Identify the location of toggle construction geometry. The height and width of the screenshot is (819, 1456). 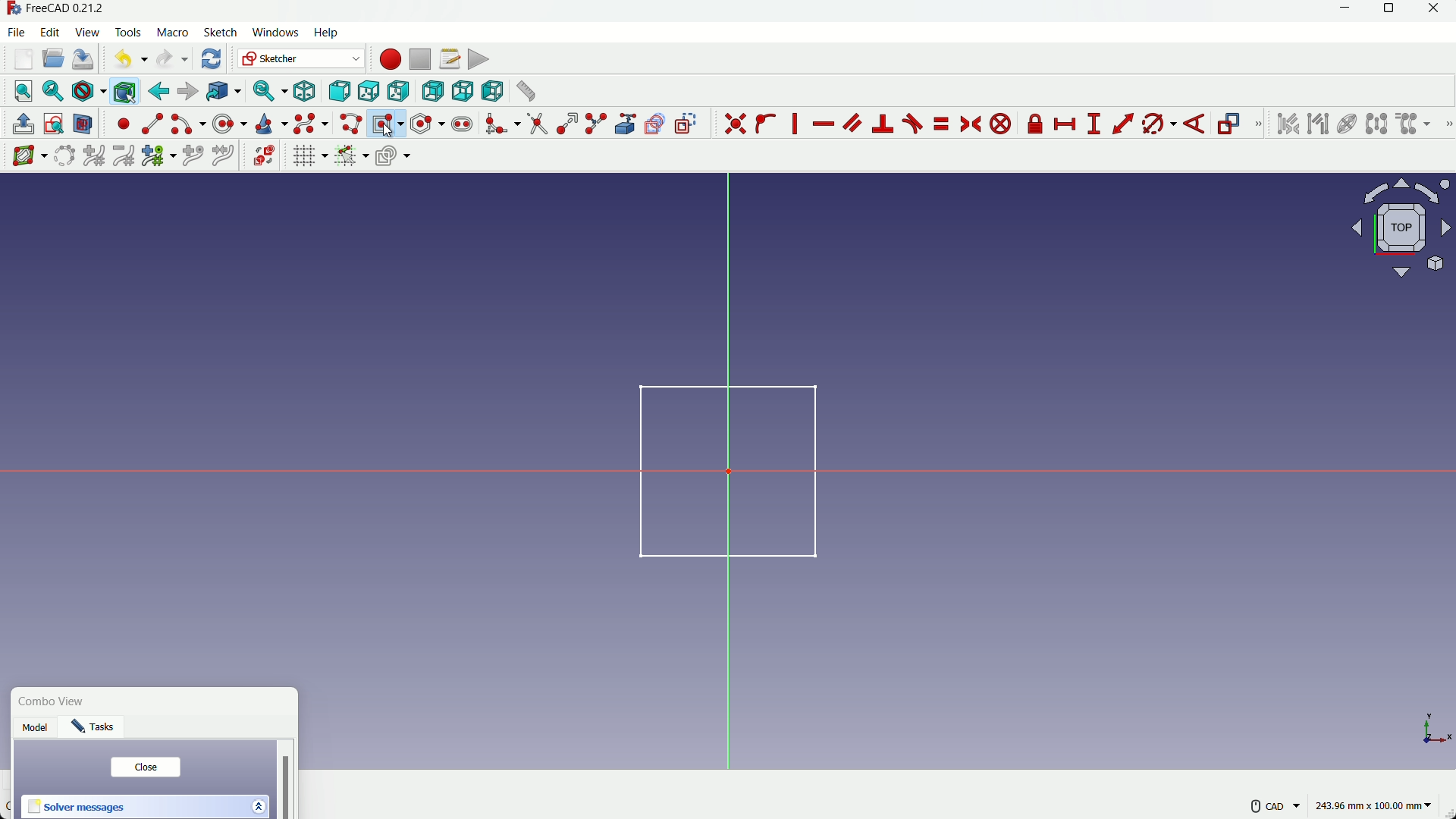
(687, 123).